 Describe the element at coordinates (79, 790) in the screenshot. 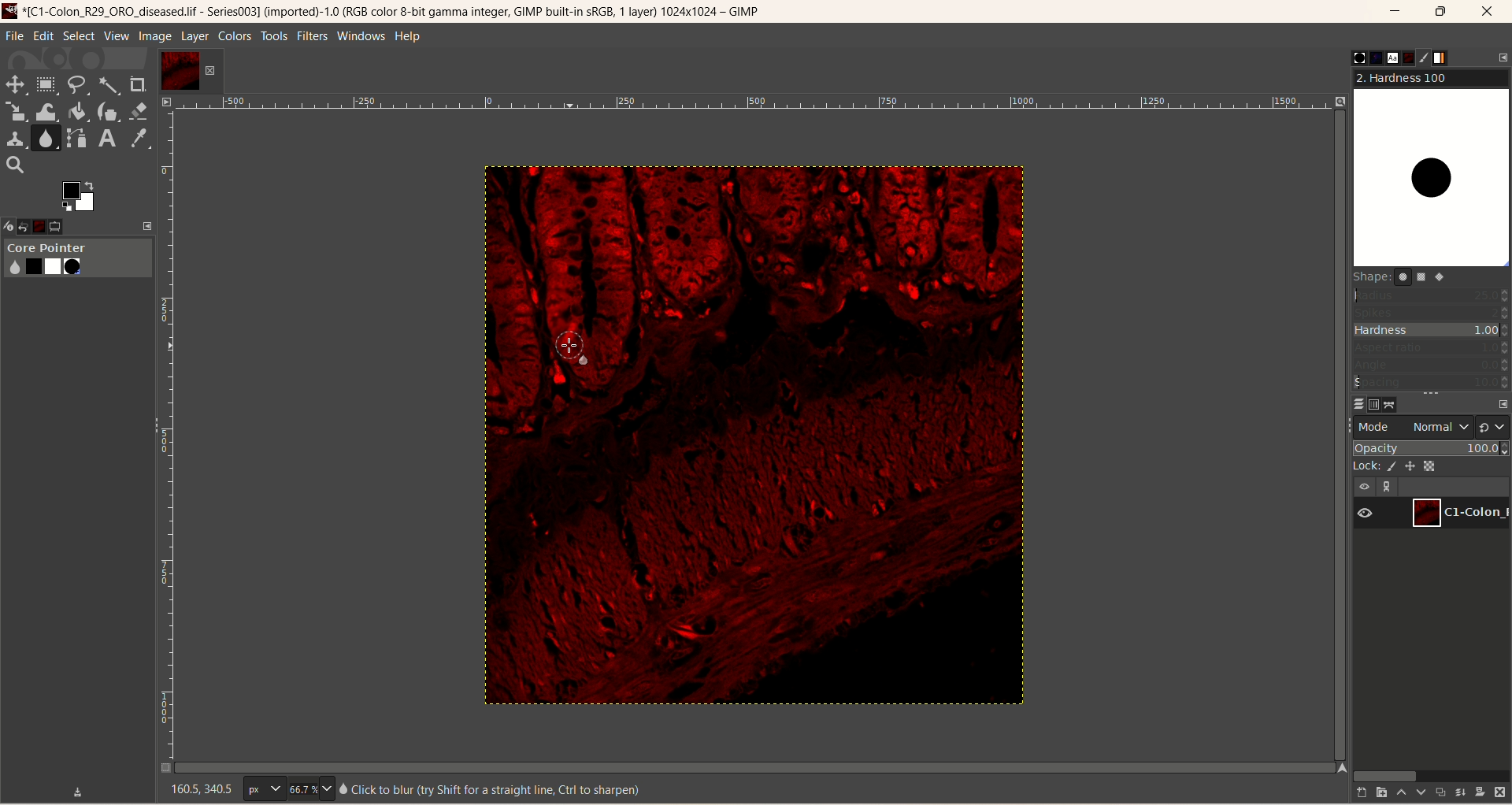

I see `save` at that location.